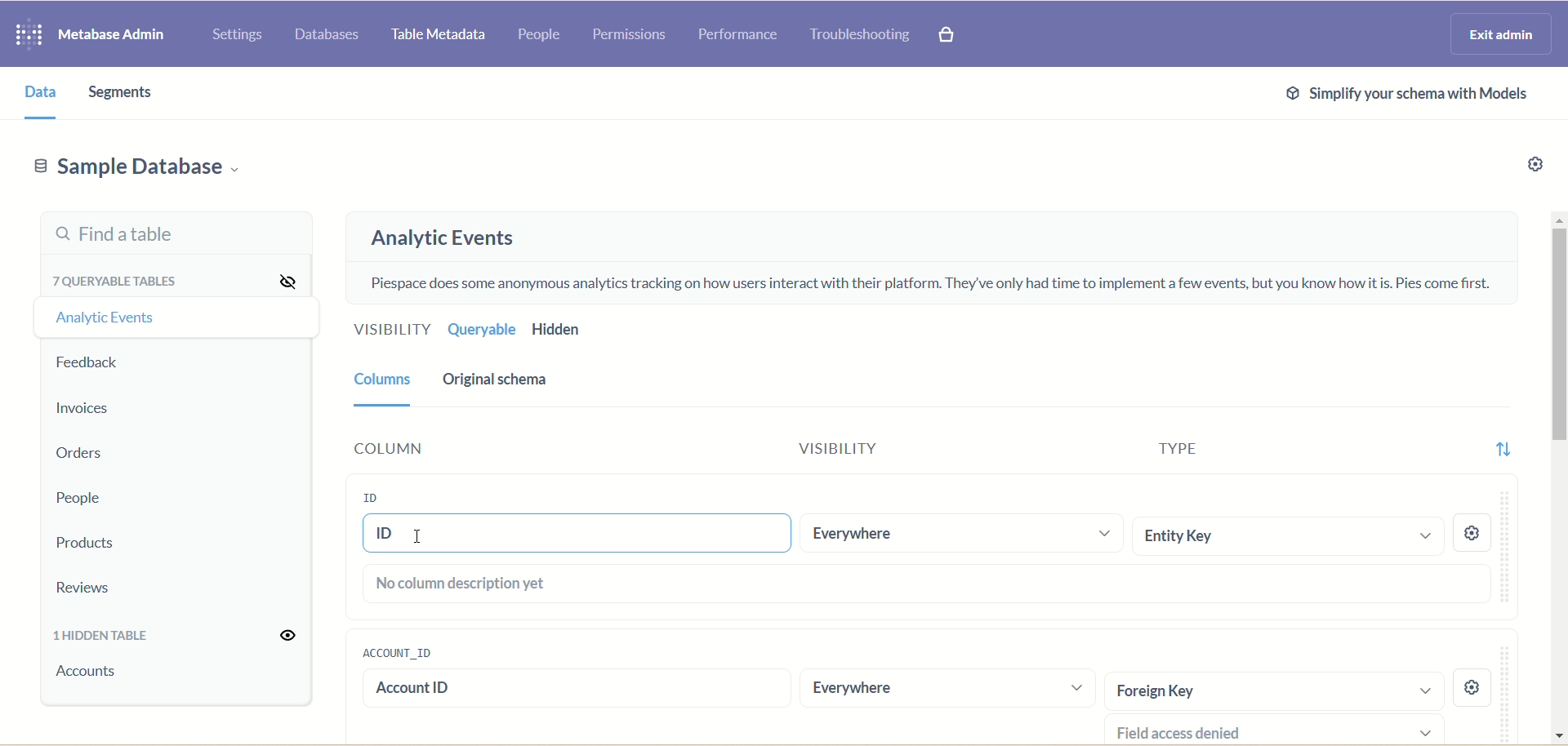 The width and height of the screenshot is (1568, 746). I want to click on Exit admin, so click(1493, 35).